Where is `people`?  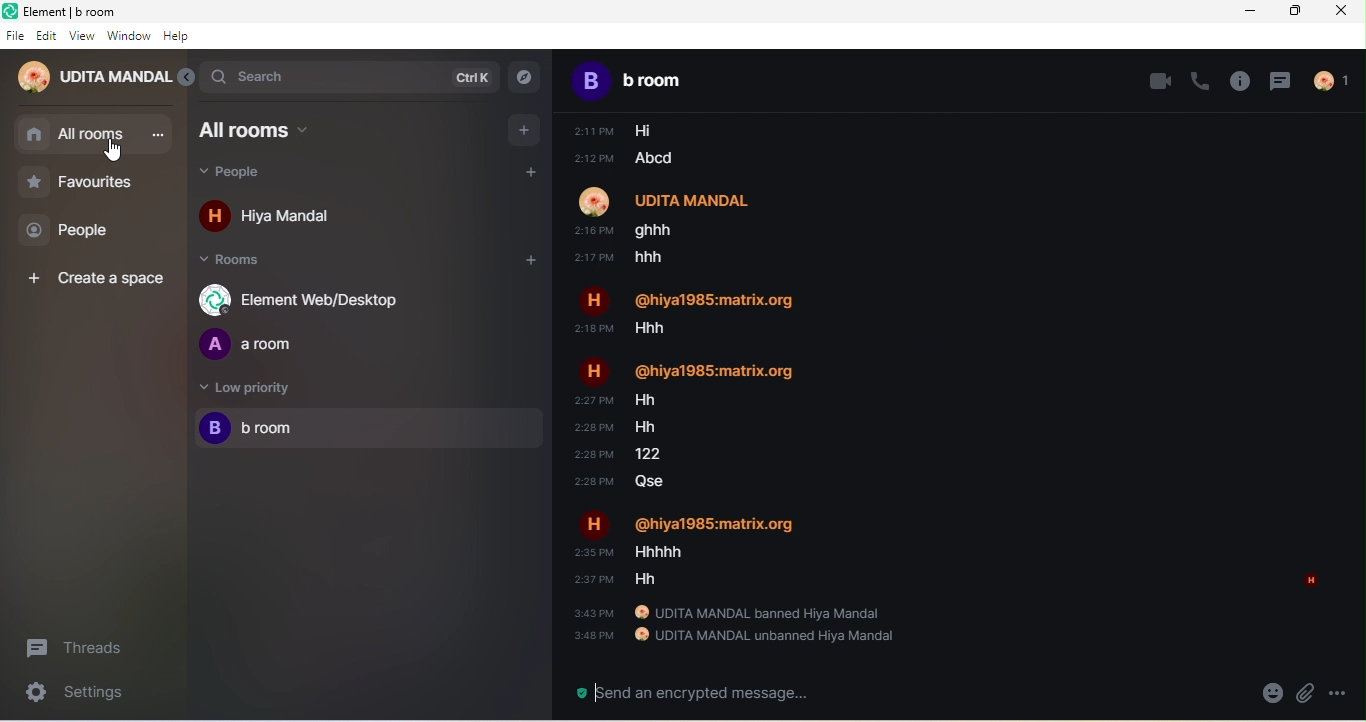 people is located at coordinates (254, 175).